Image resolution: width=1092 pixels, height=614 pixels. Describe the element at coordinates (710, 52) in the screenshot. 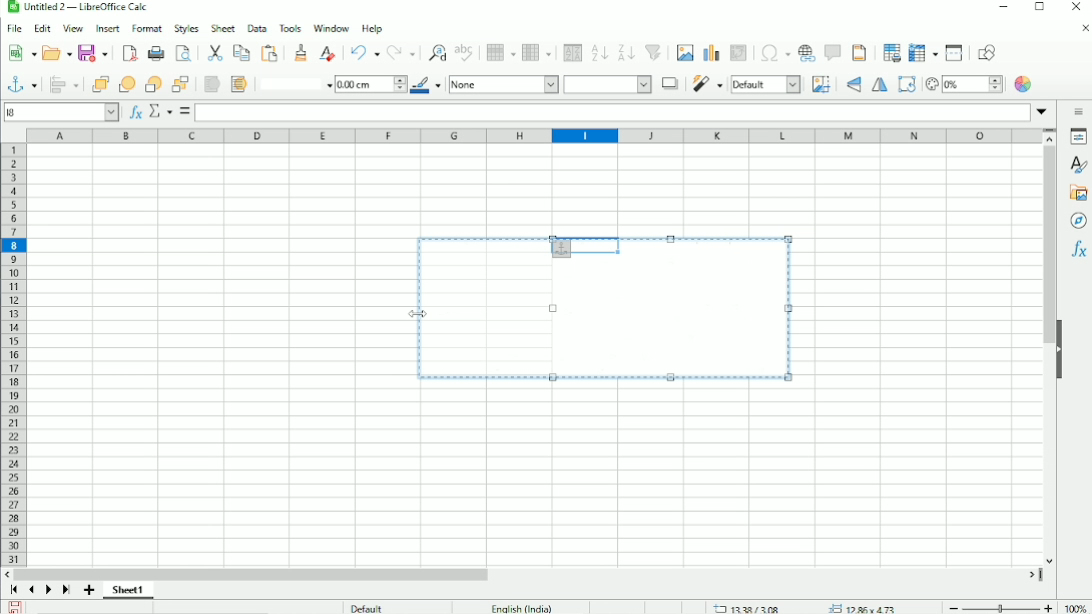

I see `Insert chart` at that location.